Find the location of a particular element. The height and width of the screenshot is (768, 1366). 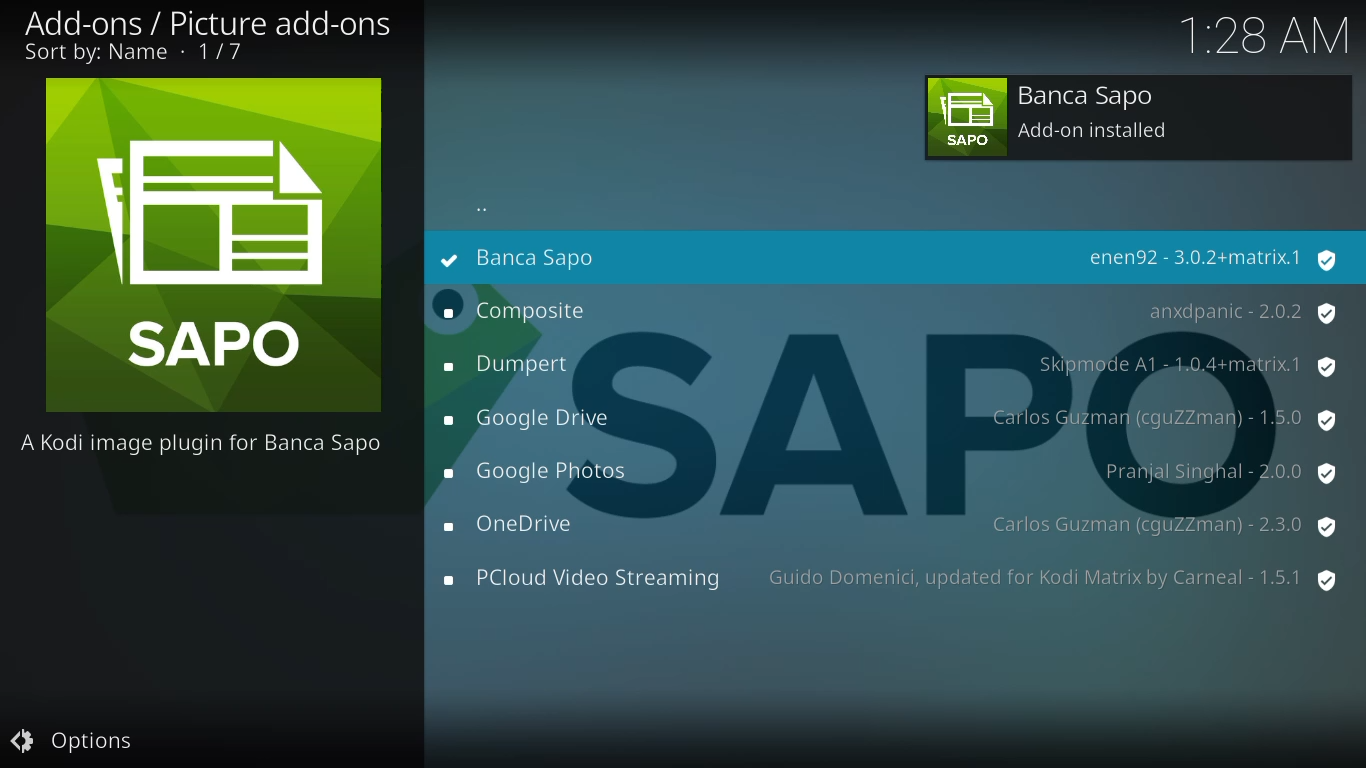

version is located at coordinates (1161, 417).